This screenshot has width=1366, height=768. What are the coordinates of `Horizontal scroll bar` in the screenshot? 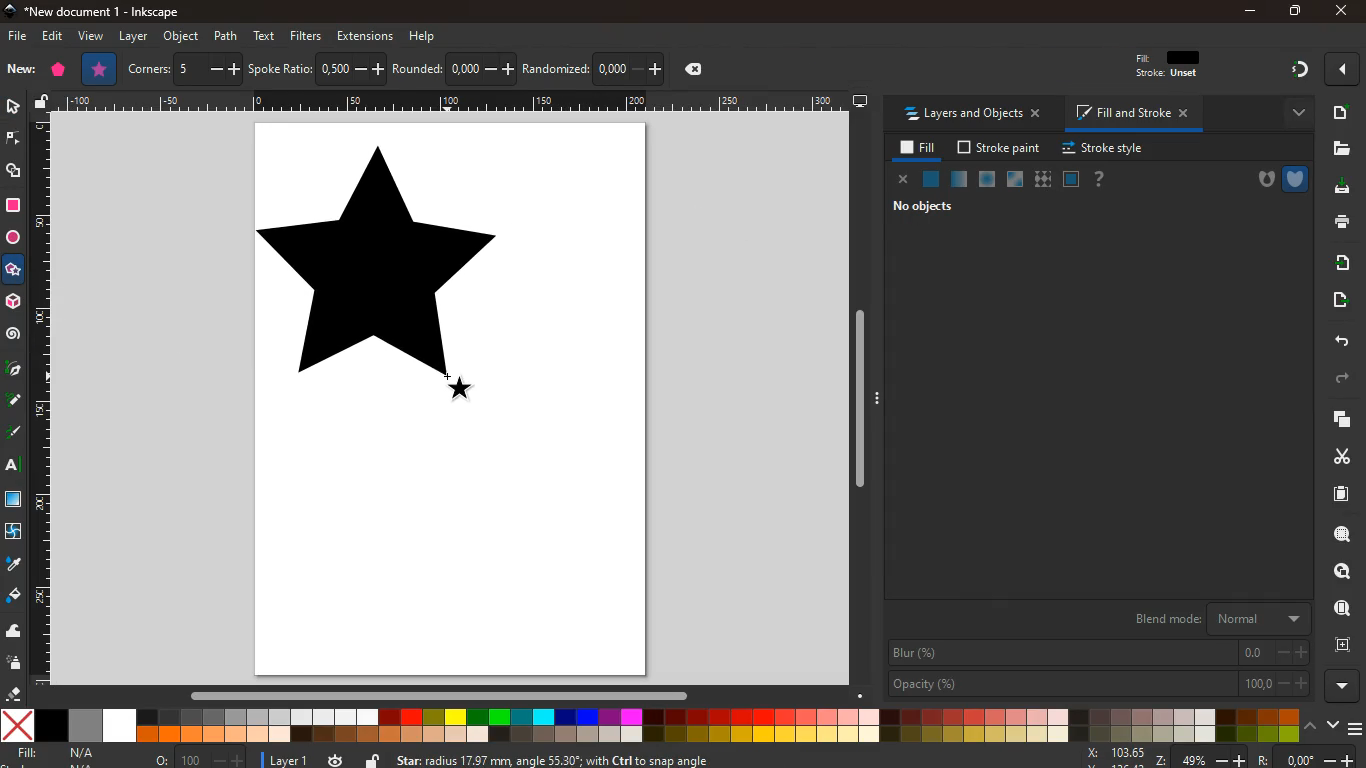 It's located at (450, 699).